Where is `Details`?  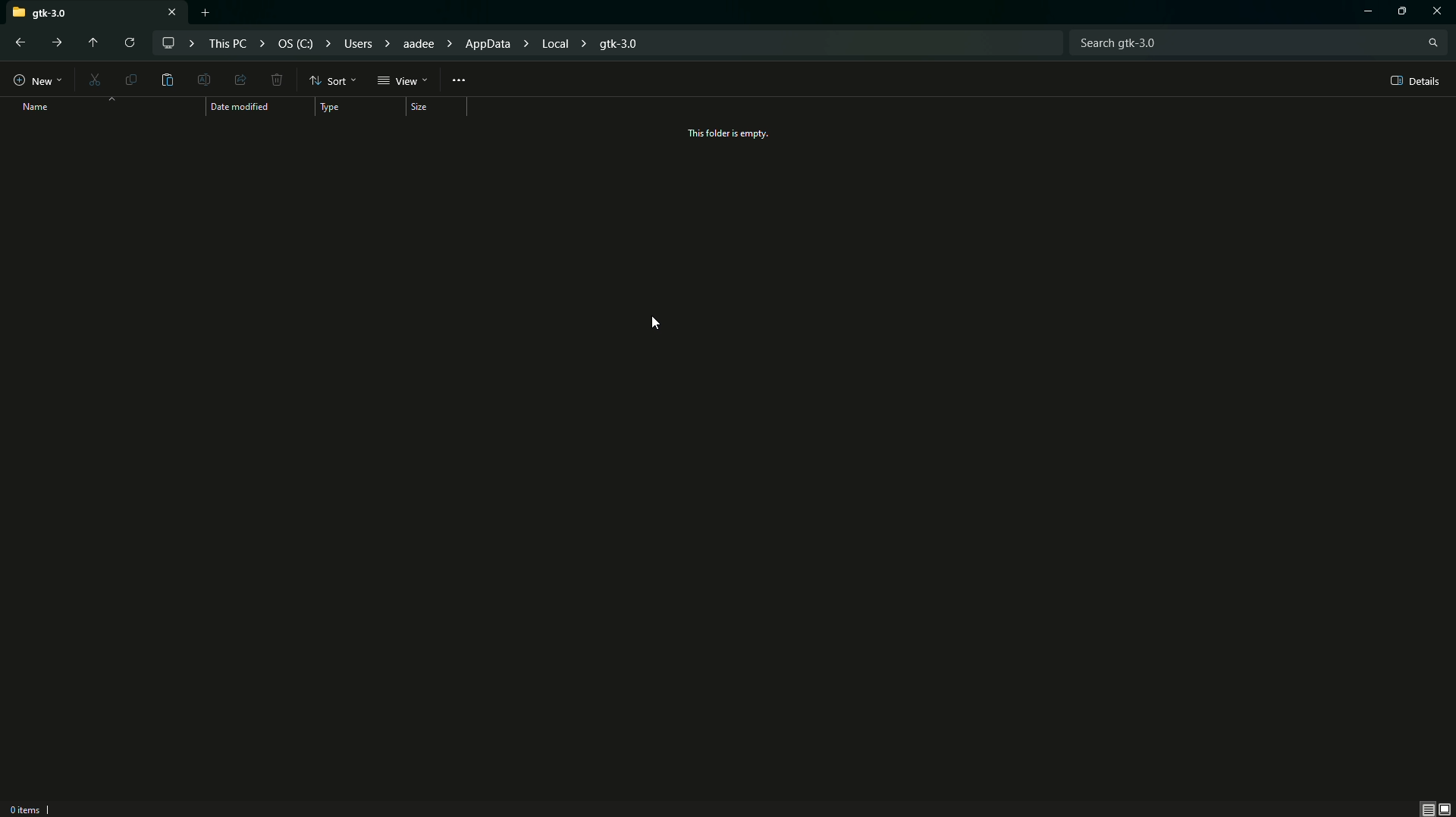 Details is located at coordinates (1412, 81).